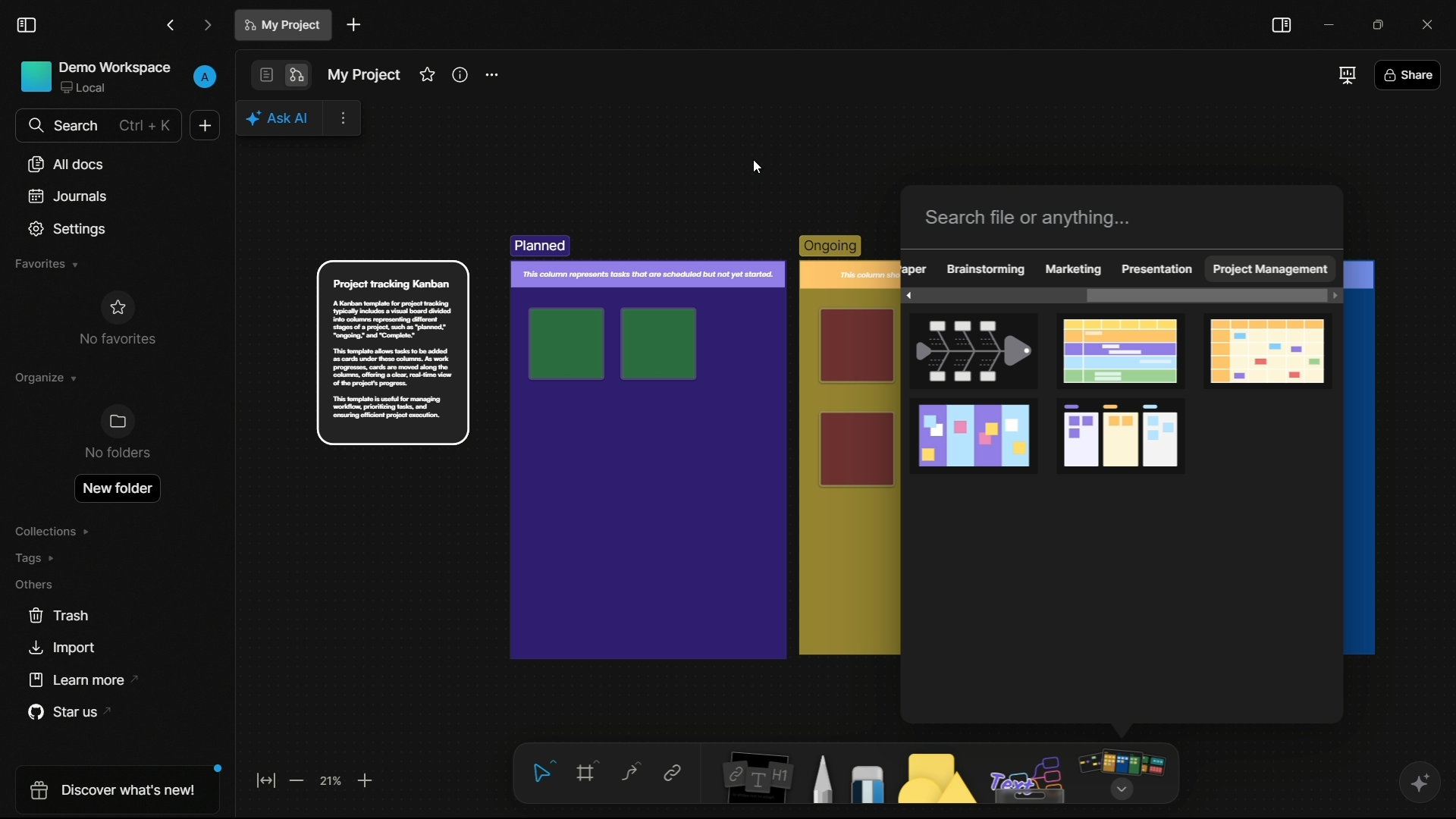 The height and width of the screenshot is (819, 1456). What do you see at coordinates (1156, 268) in the screenshot?
I see `presentation` at bounding box center [1156, 268].